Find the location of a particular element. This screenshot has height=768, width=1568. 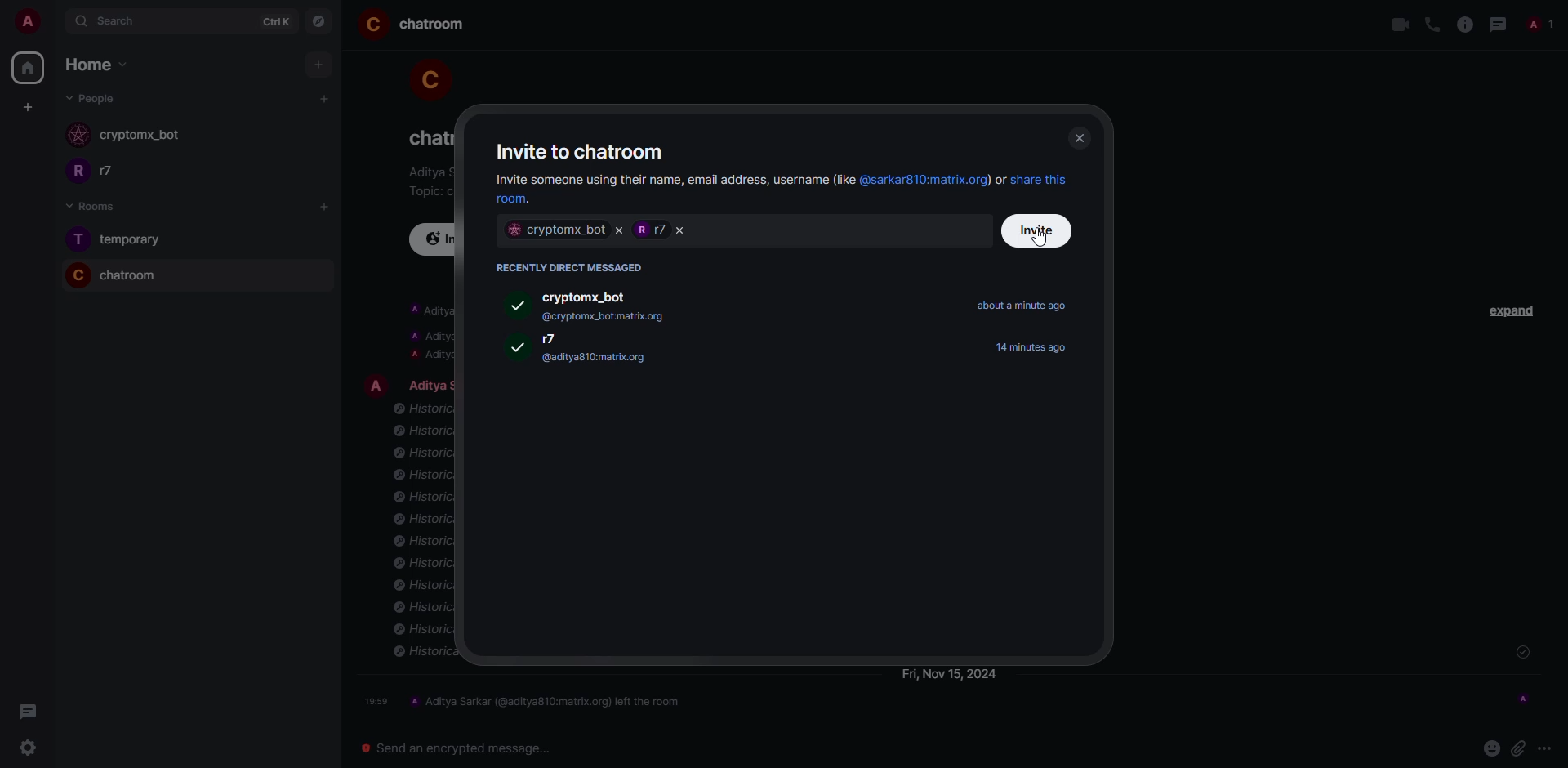

people is located at coordinates (93, 98).